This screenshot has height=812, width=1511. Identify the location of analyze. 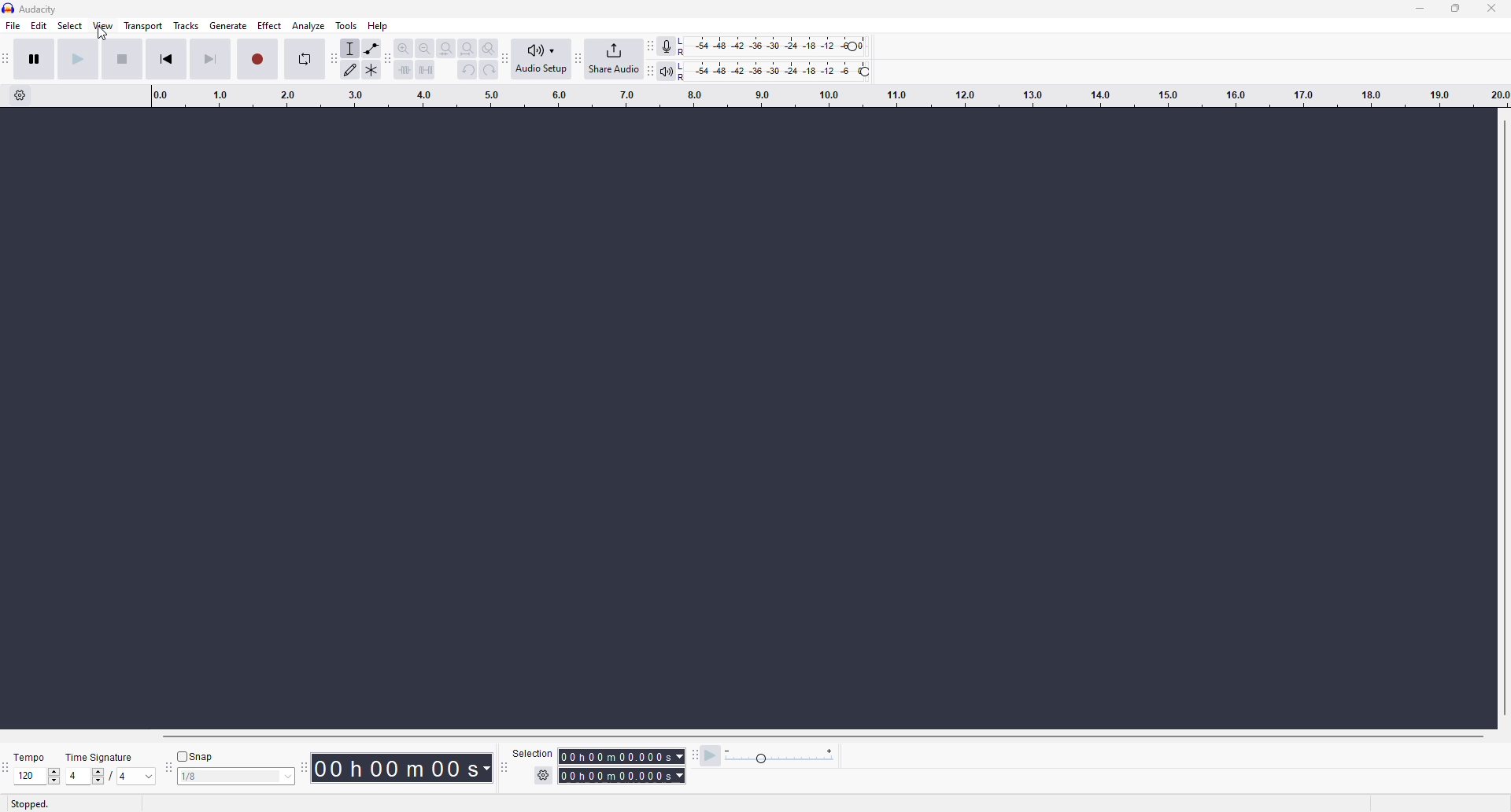
(308, 26).